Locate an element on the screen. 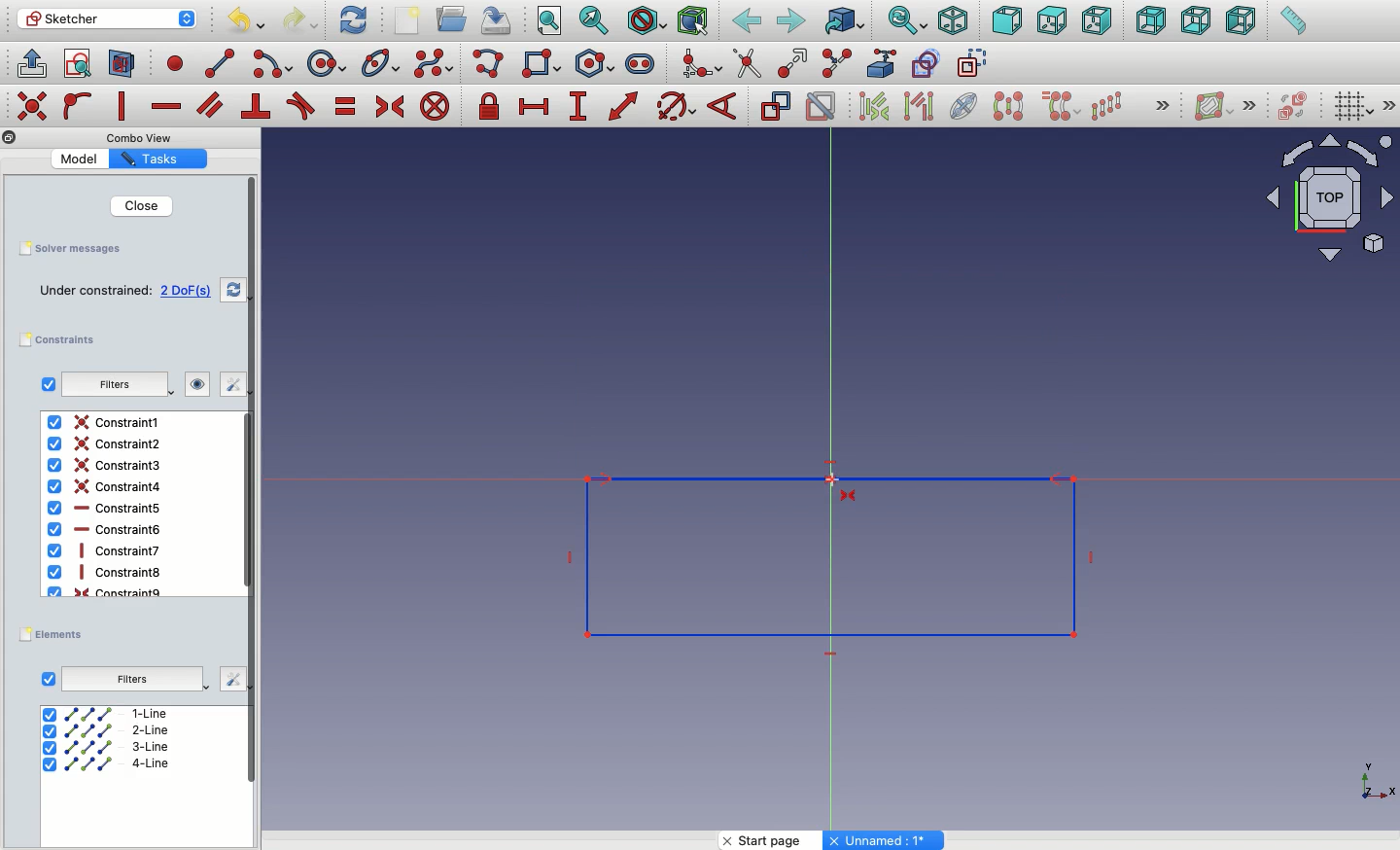 This screenshot has height=850, width=1400. Save is located at coordinates (494, 18).